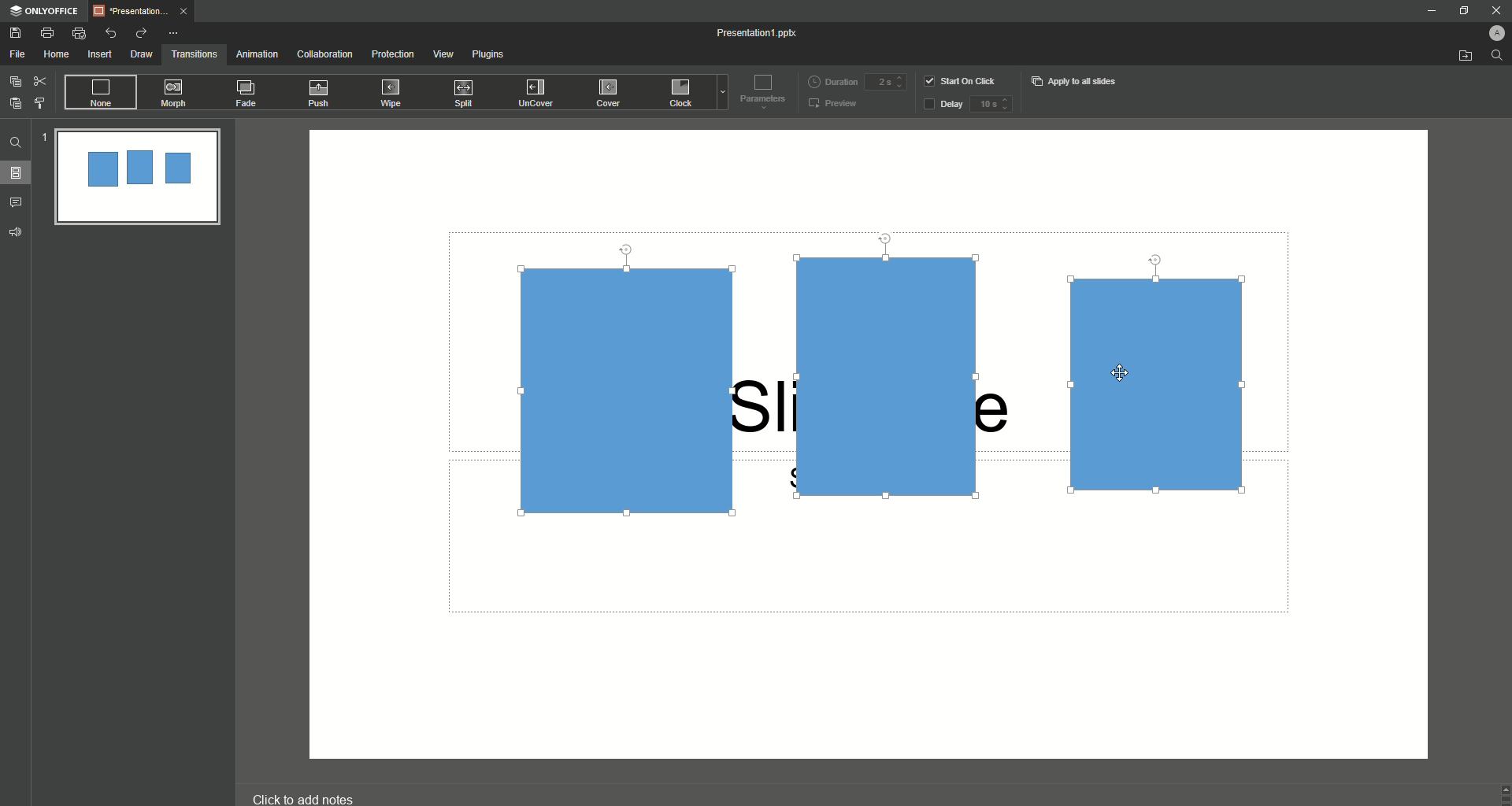 This screenshot has width=1512, height=806. What do you see at coordinates (40, 80) in the screenshot?
I see `Cut` at bounding box center [40, 80].